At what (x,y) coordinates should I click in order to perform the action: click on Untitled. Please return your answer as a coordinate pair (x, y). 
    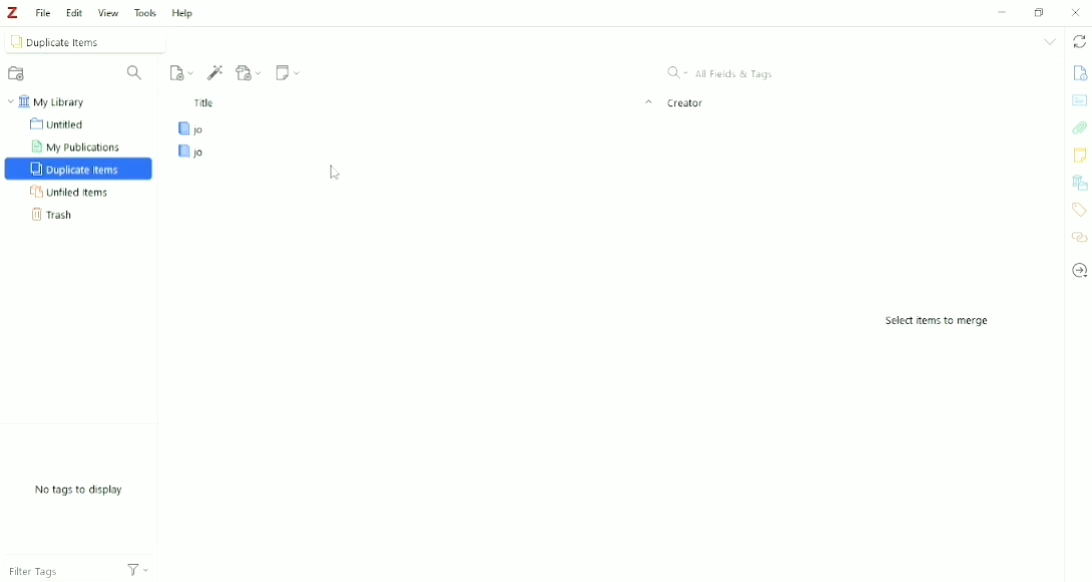
    Looking at the image, I should click on (64, 125).